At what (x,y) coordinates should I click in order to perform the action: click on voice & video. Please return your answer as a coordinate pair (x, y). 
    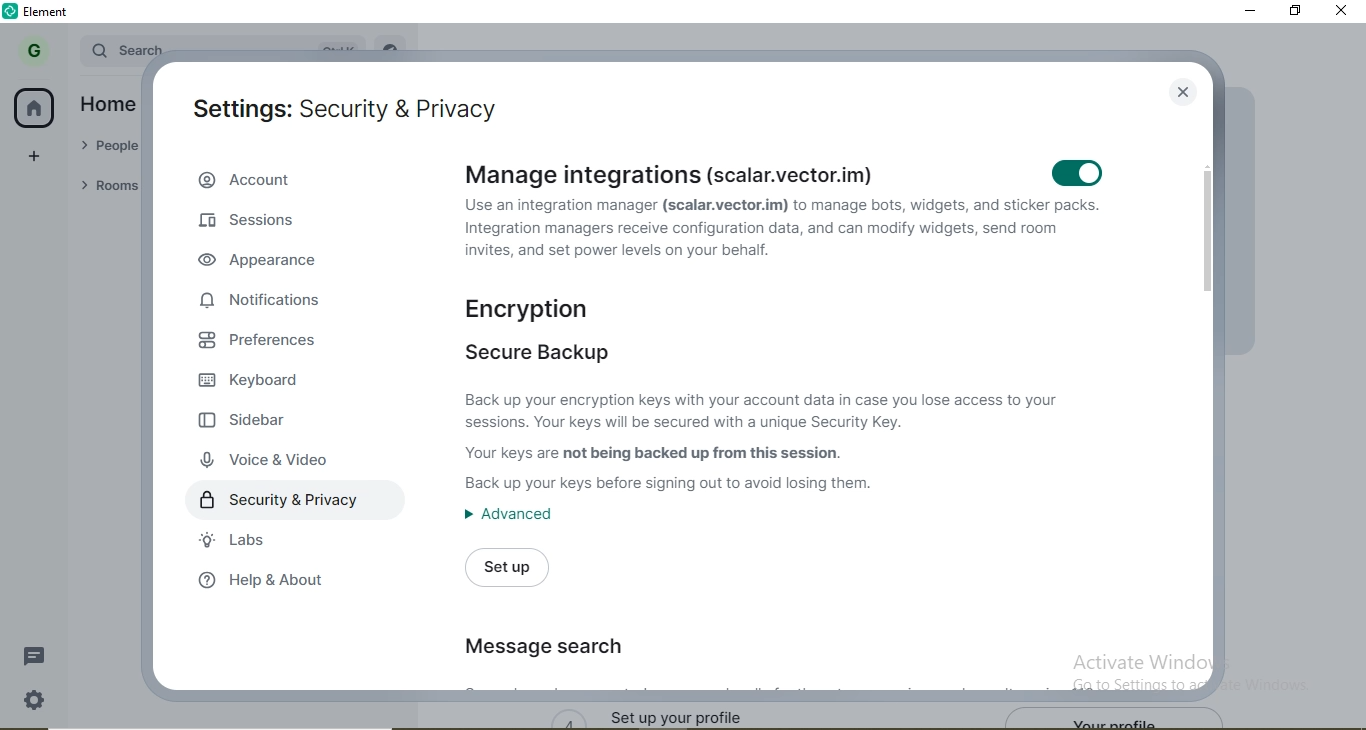
    Looking at the image, I should click on (268, 463).